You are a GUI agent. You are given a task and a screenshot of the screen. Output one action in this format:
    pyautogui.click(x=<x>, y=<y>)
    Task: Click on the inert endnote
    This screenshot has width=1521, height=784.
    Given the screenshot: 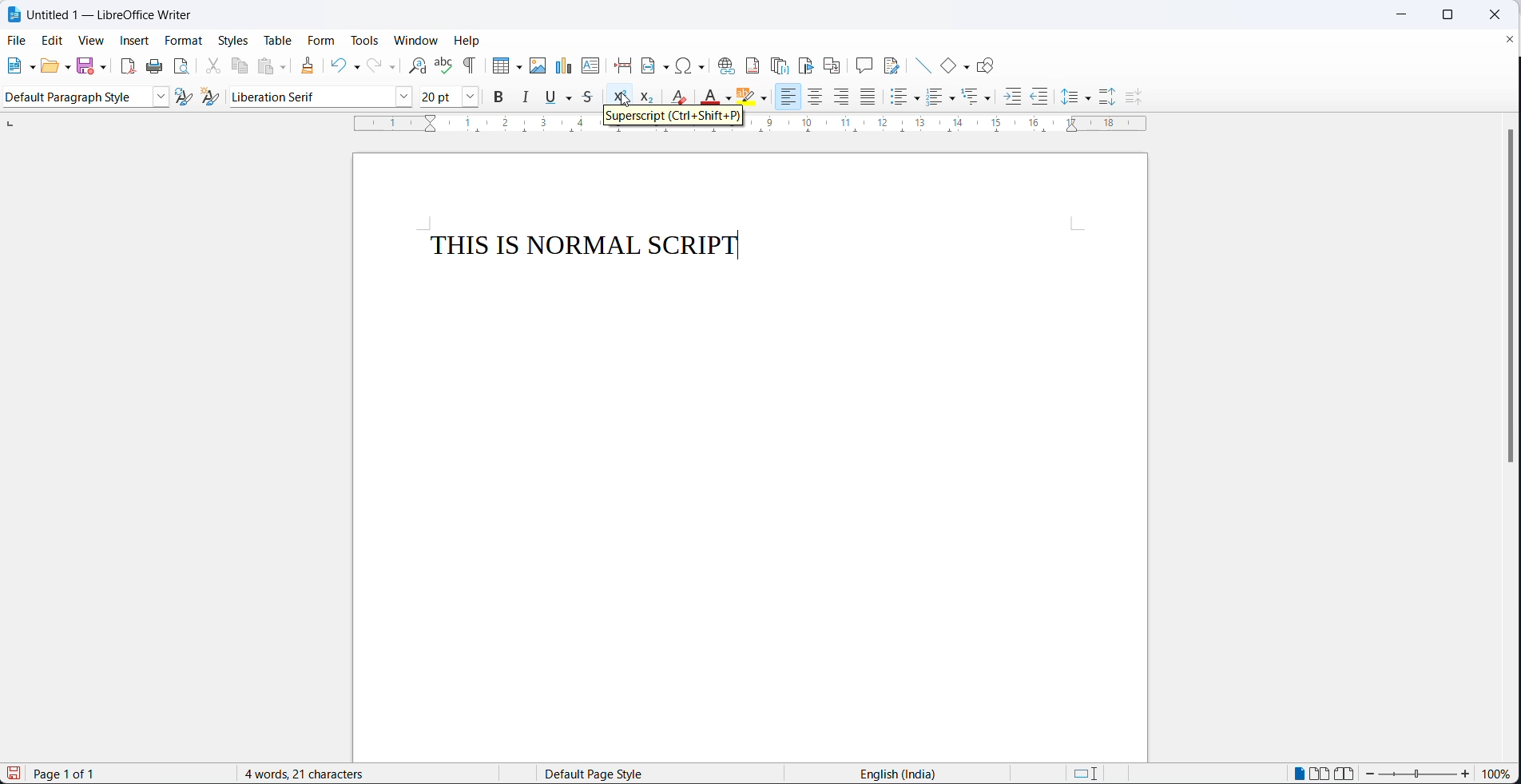 What is the action you would take?
    pyautogui.click(x=783, y=65)
    